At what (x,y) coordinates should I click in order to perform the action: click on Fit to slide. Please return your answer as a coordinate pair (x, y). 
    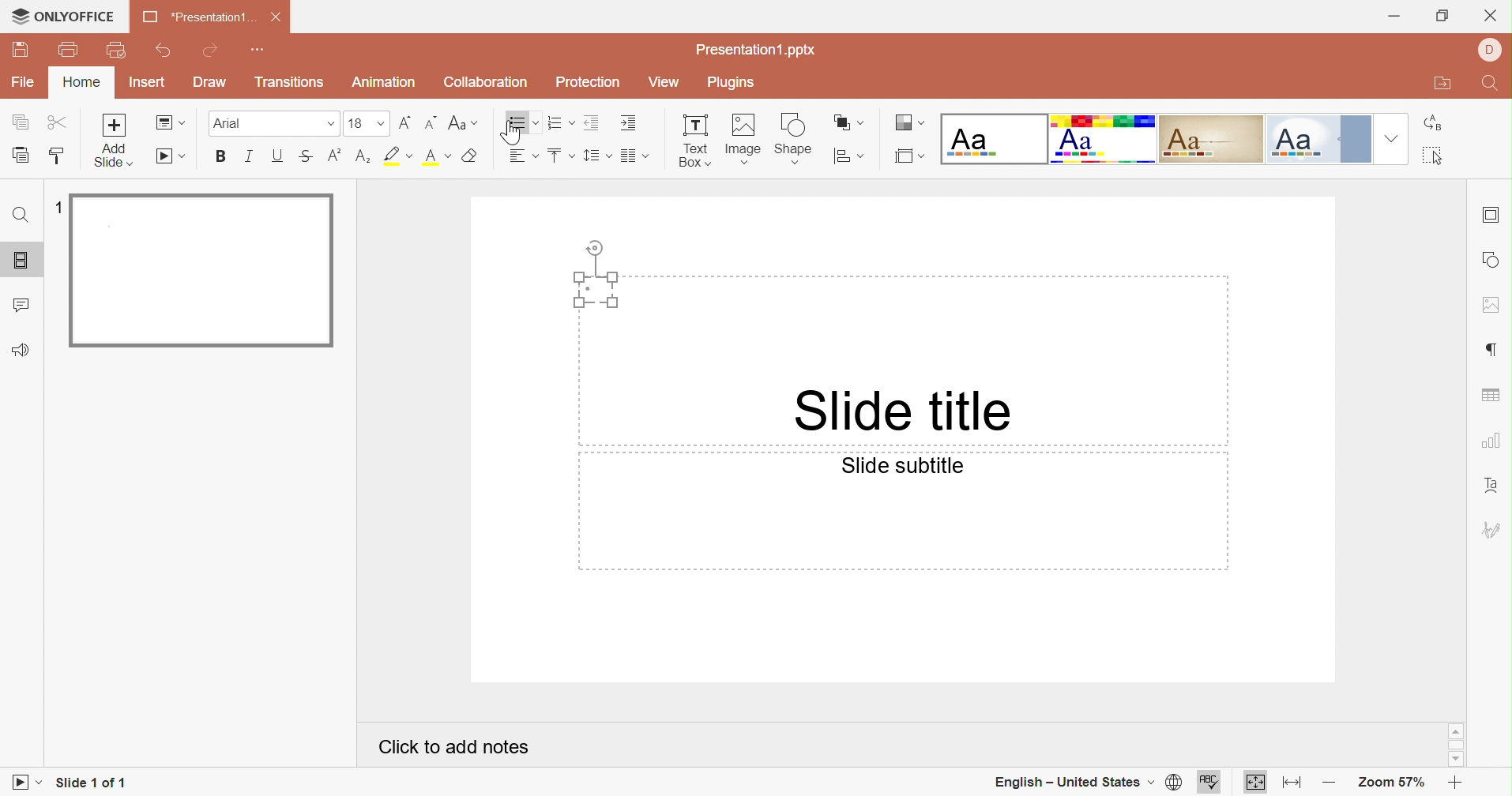
    Looking at the image, I should click on (1256, 783).